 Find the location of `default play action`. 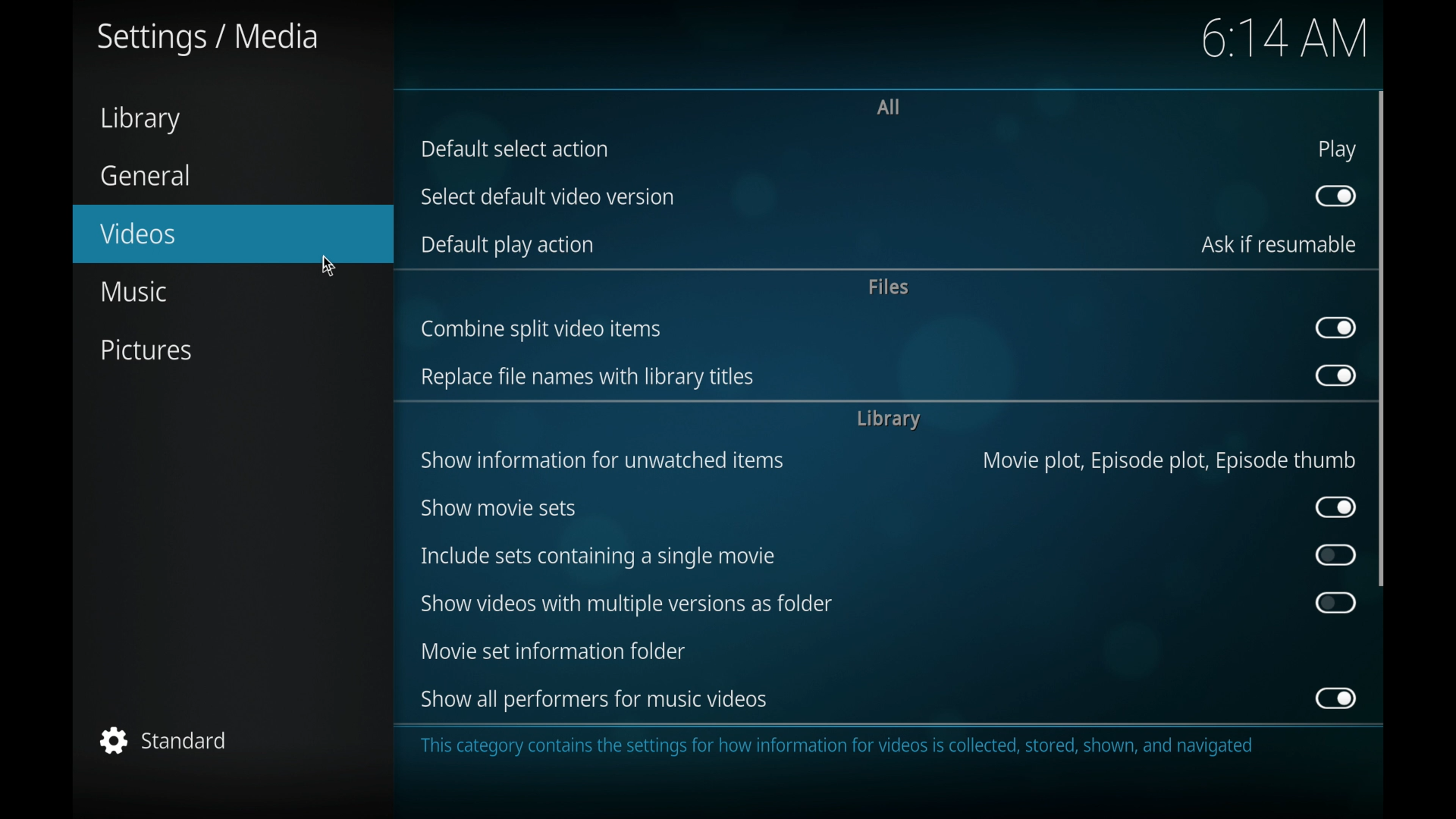

default play action is located at coordinates (509, 245).